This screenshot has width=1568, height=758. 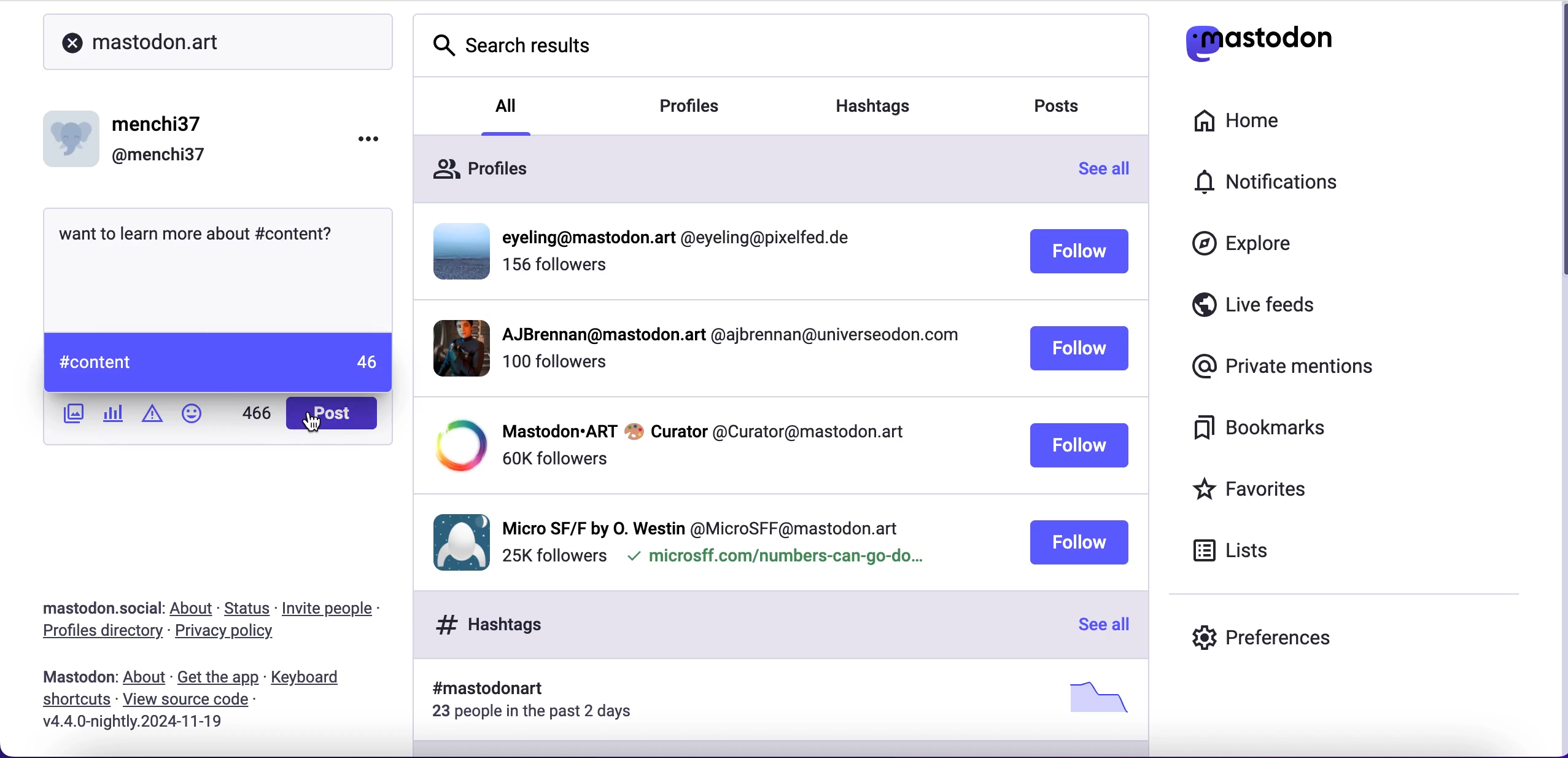 What do you see at coordinates (553, 557) in the screenshot?
I see `followers` at bounding box center [553, 557].